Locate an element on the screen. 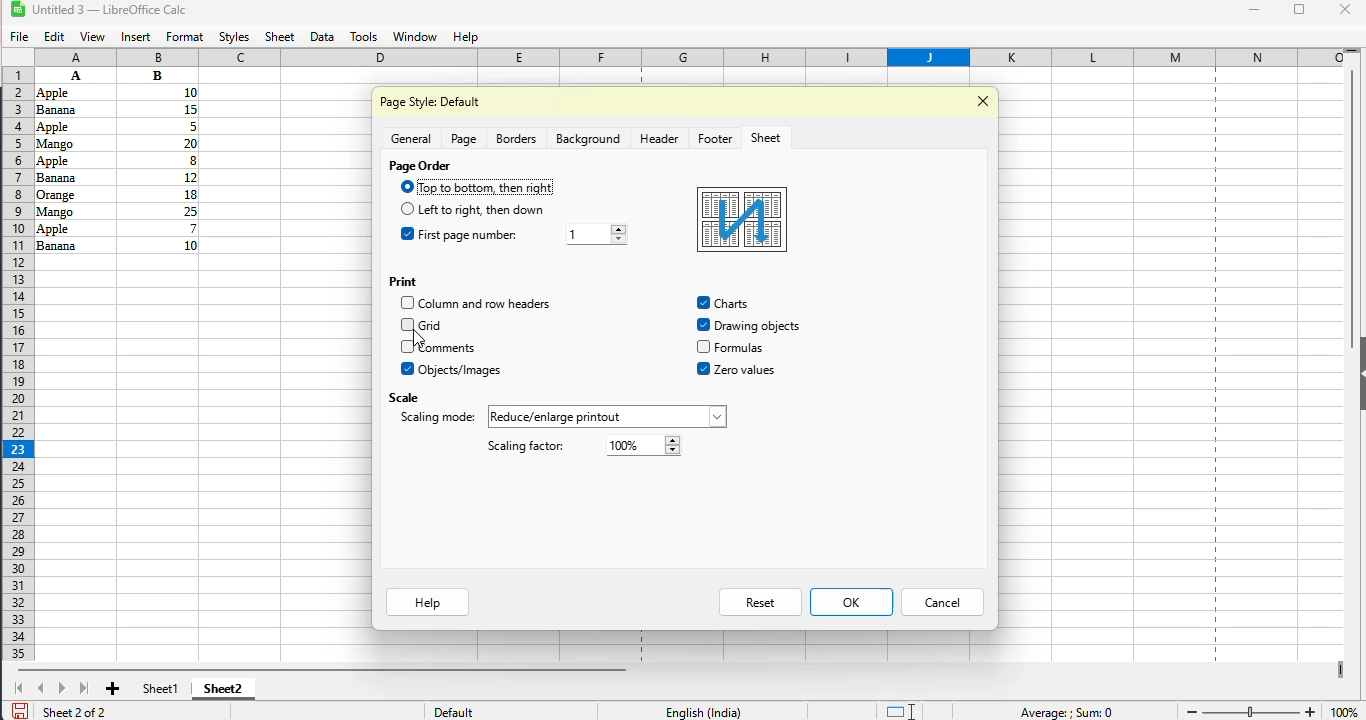 The image size is (1366, 720). help is located at coordinates (426, 603).